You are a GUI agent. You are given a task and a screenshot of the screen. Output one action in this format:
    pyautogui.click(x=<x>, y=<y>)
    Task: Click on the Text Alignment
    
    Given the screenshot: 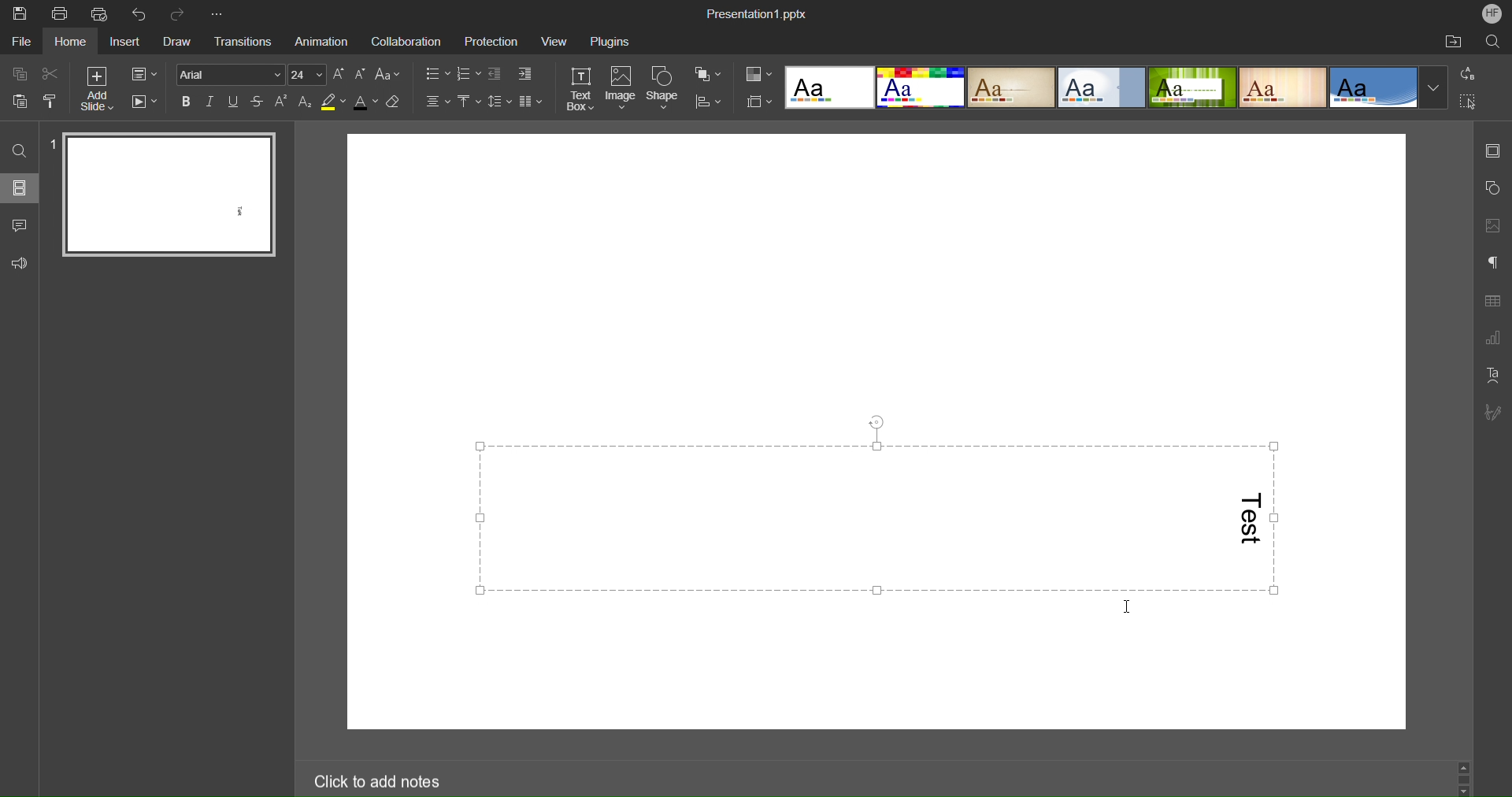 What is the action you would take?
    pyautogui.click(x=436, y=102)
    